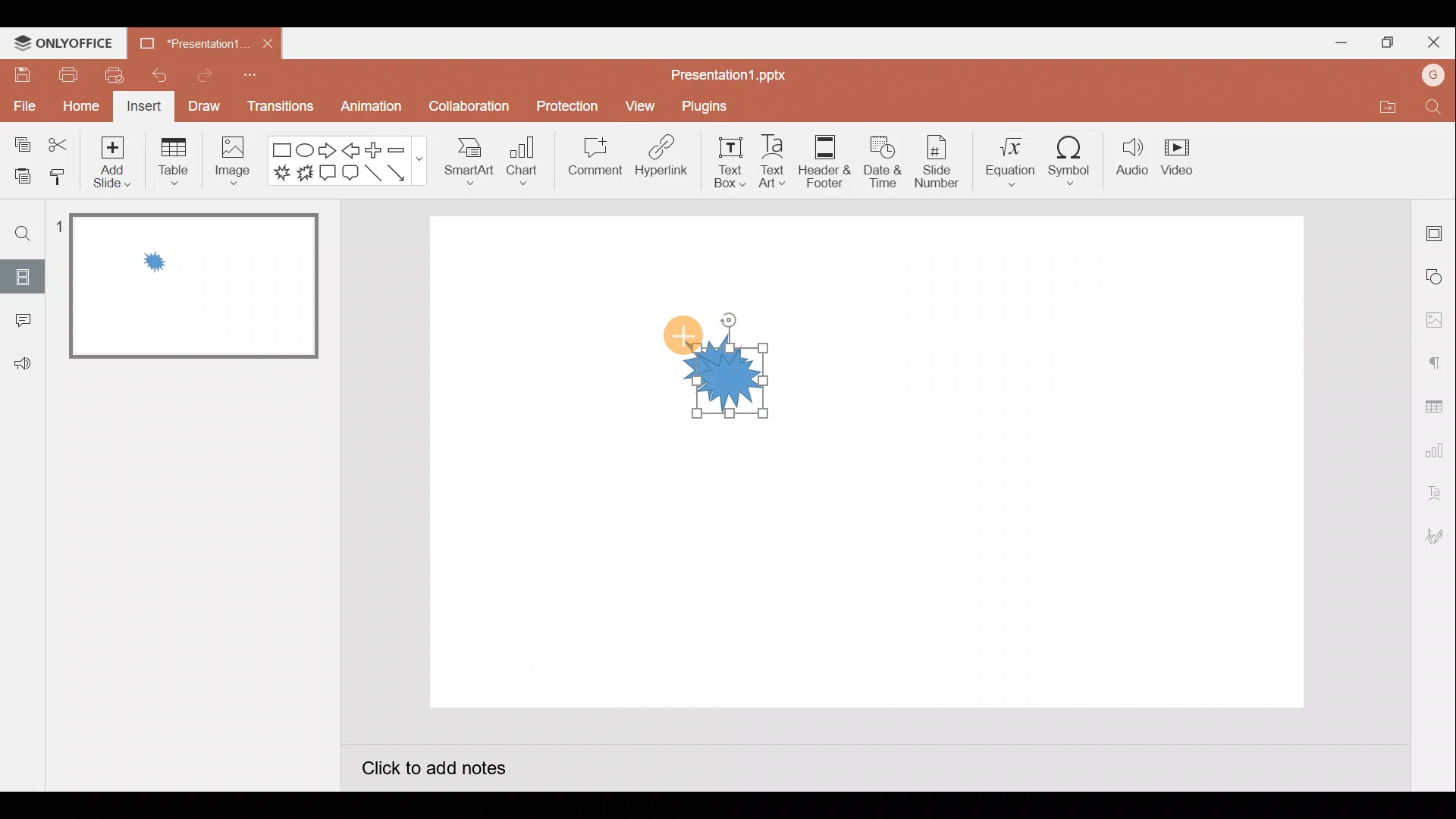  Describe the element at coordinates (566, 101) in the screenshot. I see `Protection` at that location.